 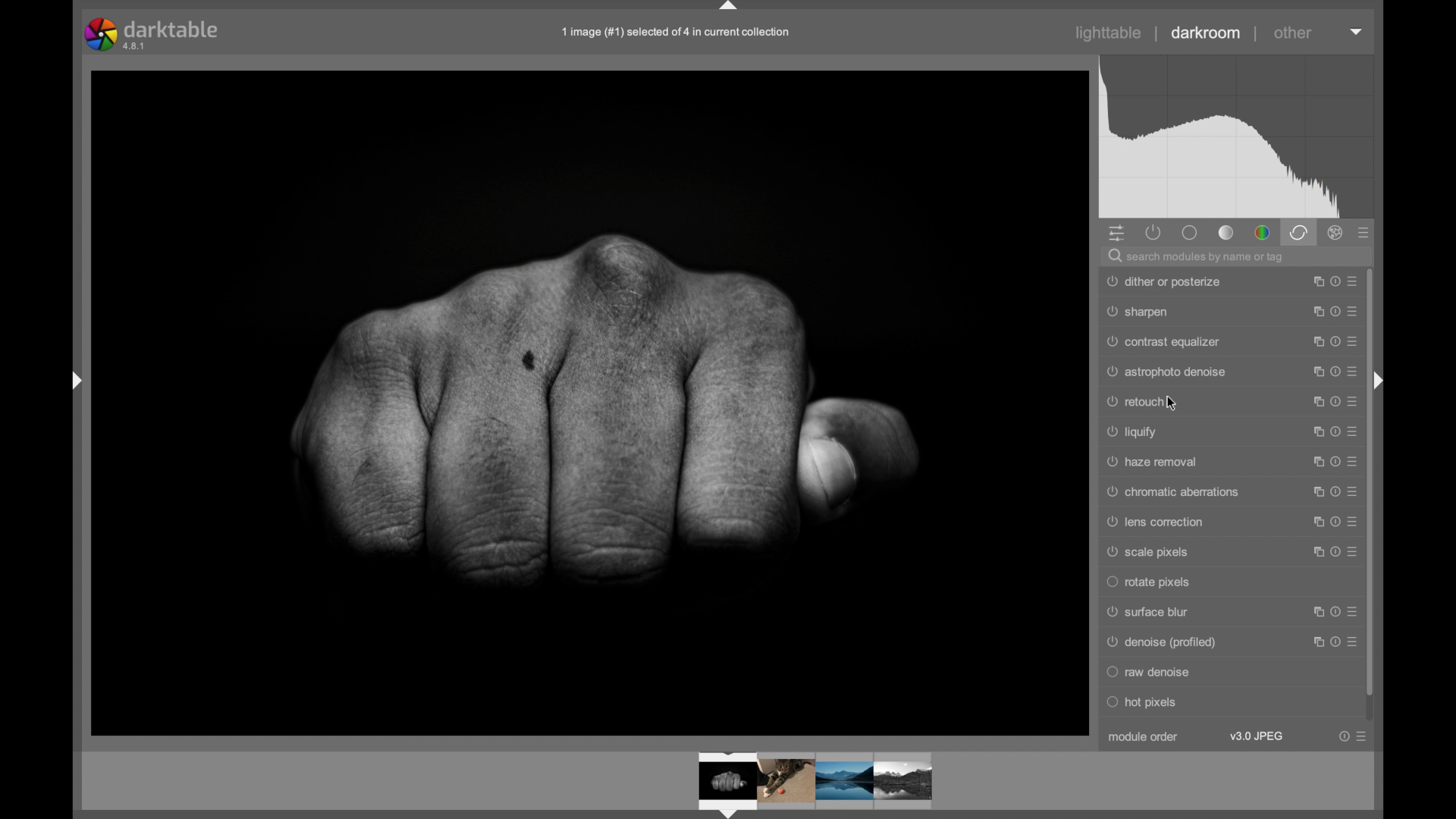 What do you see at coordinates (1357, 30) in the screenshot?
I see `dropdown menu` at bounding box center [1357, 30].